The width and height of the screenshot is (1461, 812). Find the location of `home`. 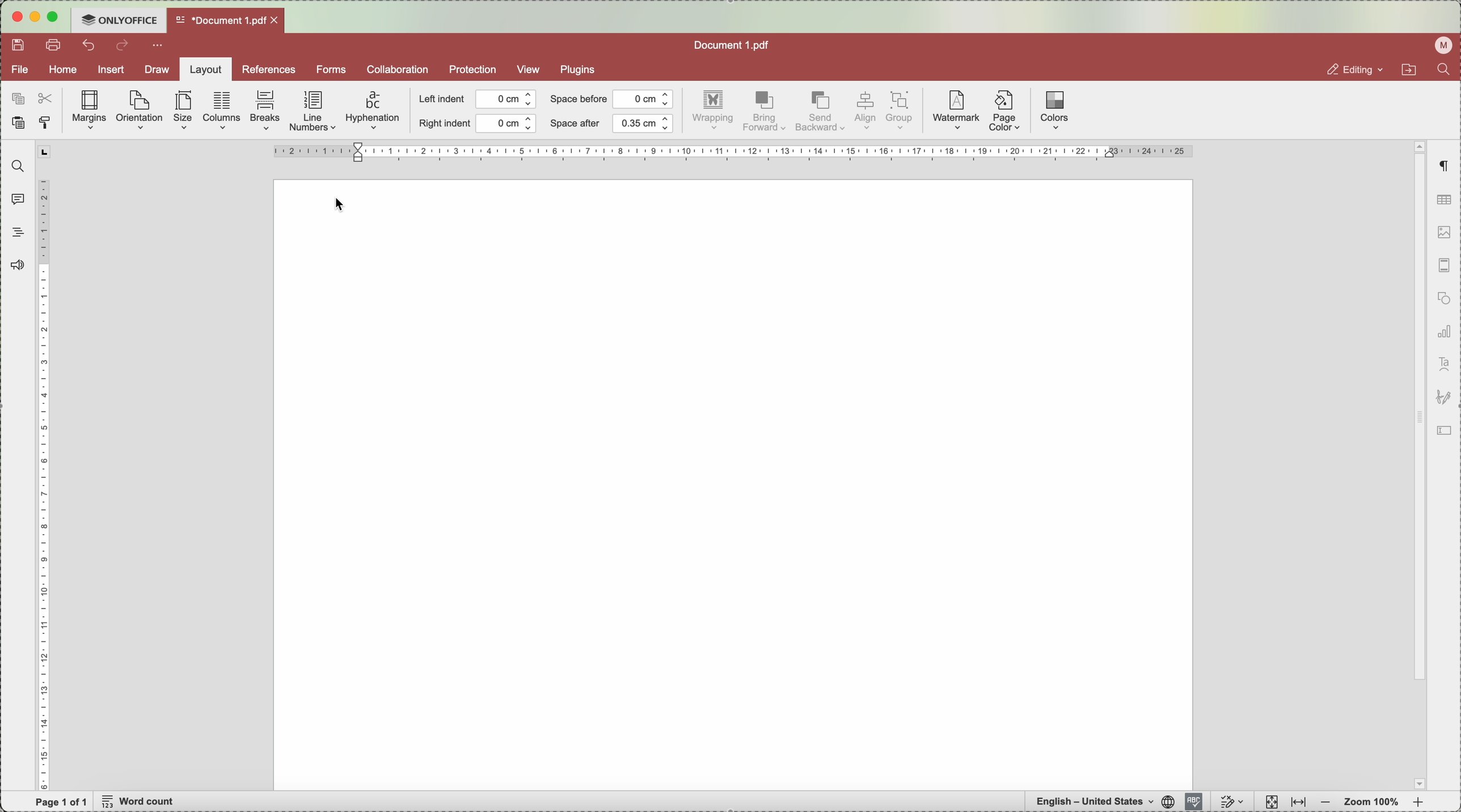

home is located at coordinates (64, 71).